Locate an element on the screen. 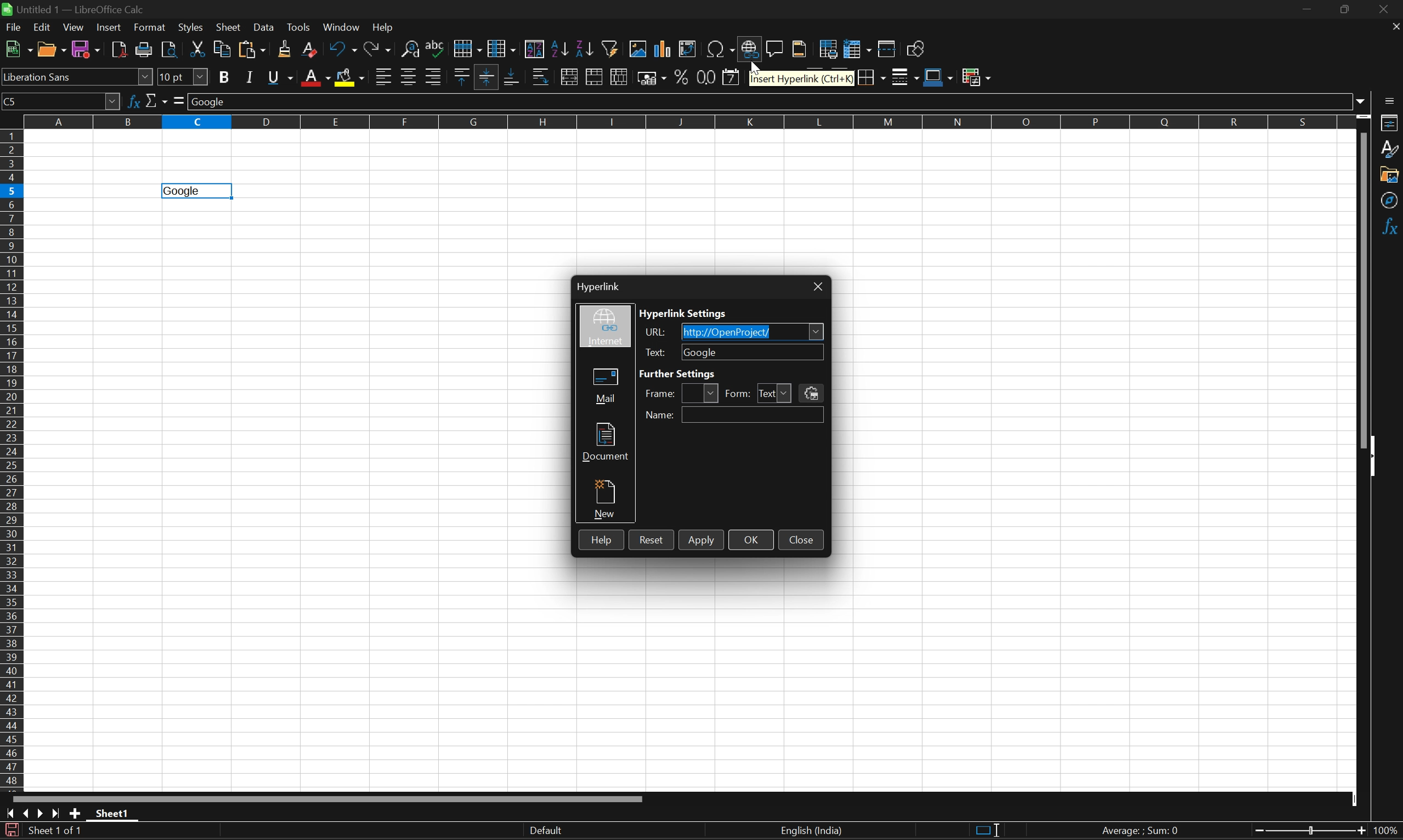  Font name is located at coordinates (77, 79).